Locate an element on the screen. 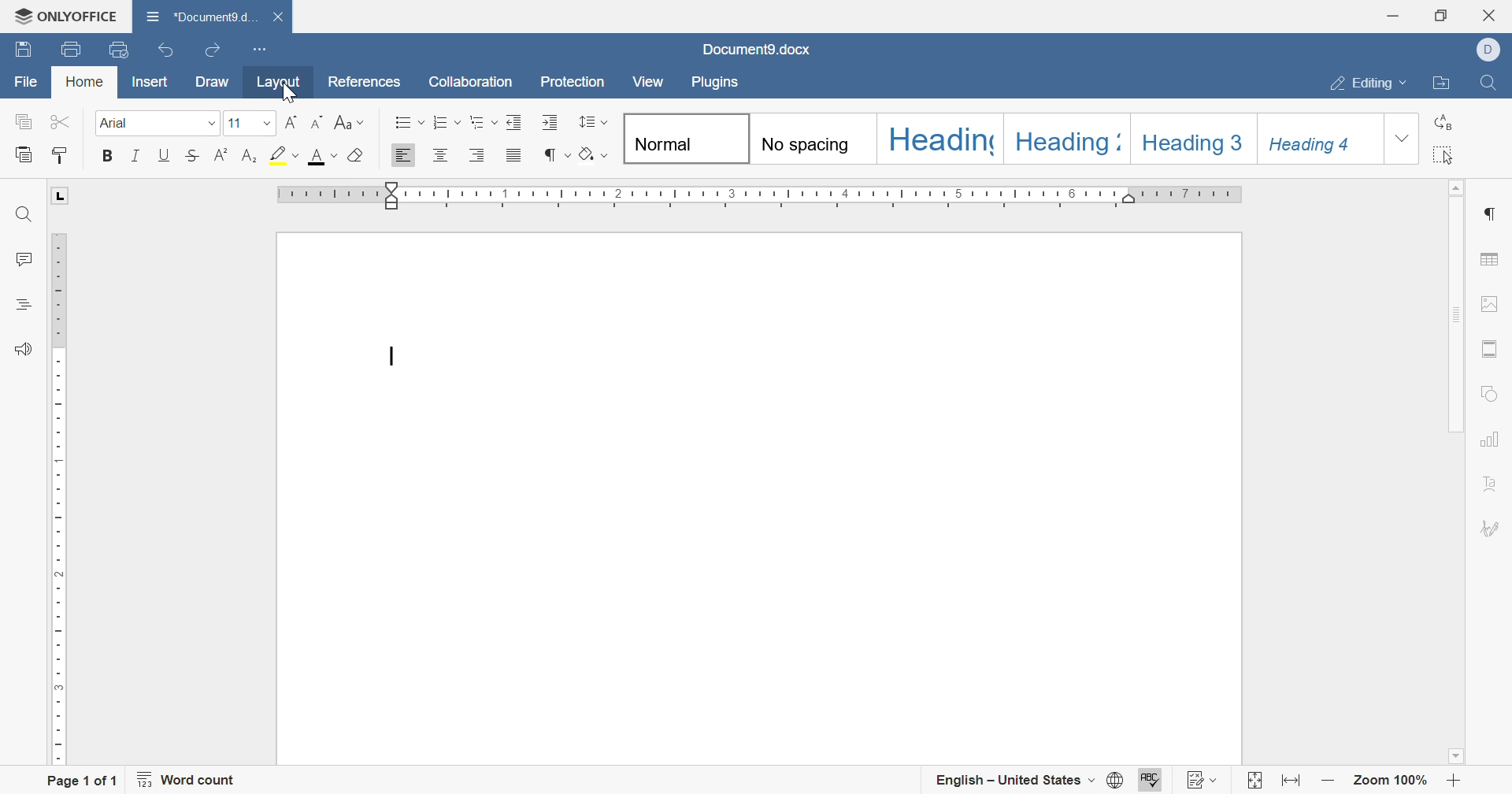  underline is located at coordinates (164, 154).